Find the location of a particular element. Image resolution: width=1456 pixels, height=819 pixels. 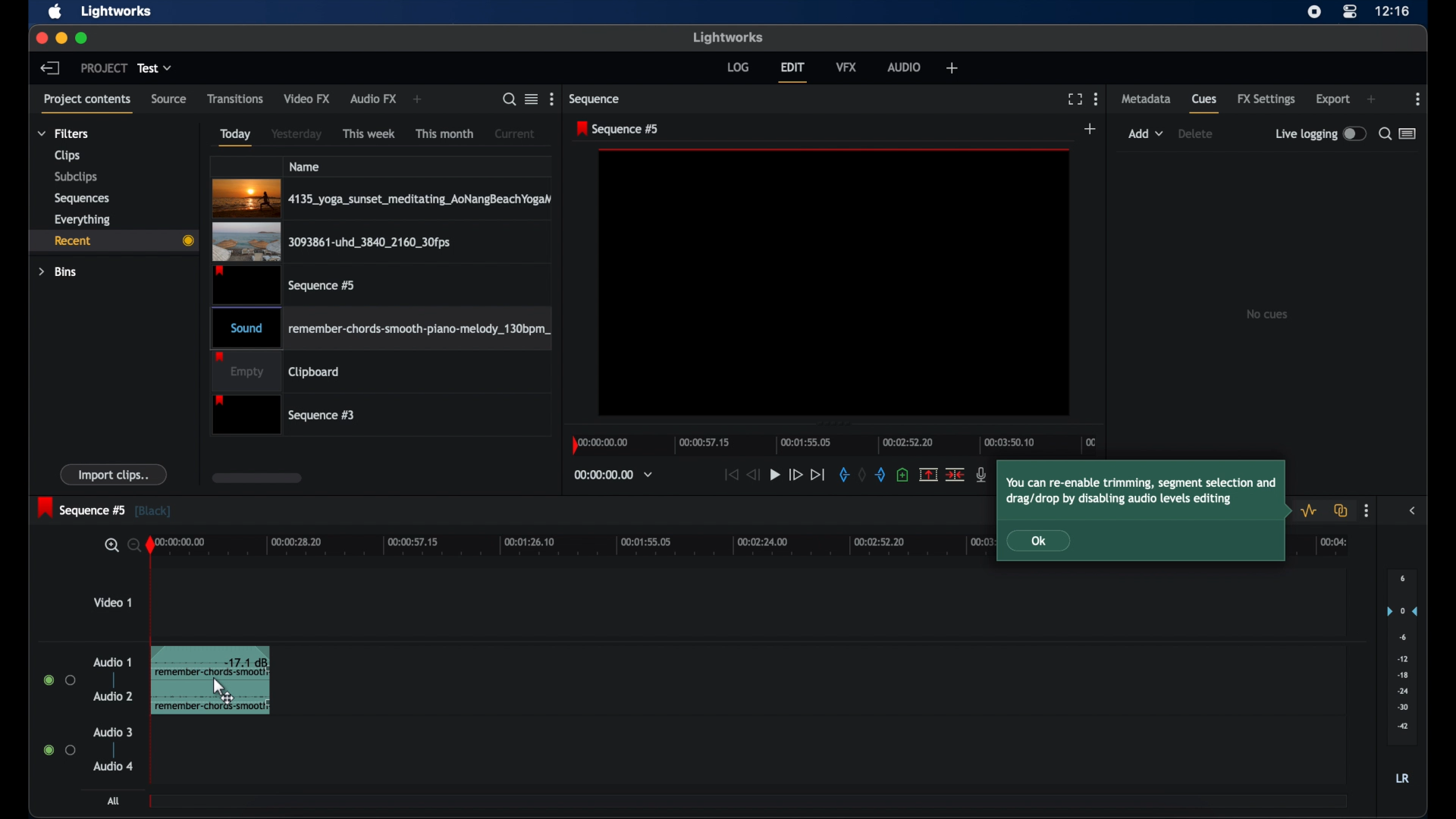

minimize is located at coordinates (61, 38).